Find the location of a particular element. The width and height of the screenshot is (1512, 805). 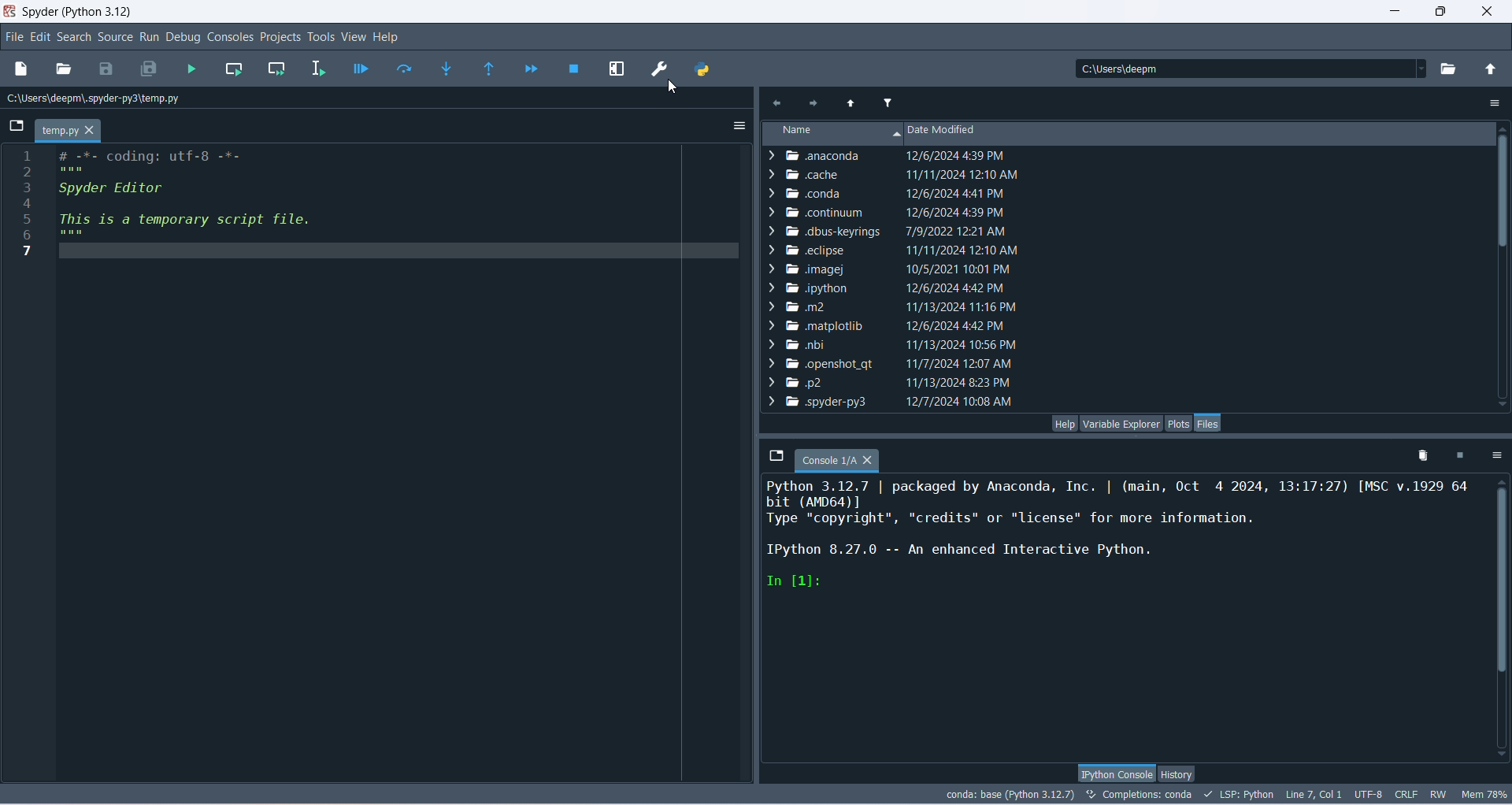

folder details is located at coordinates (889, 361).